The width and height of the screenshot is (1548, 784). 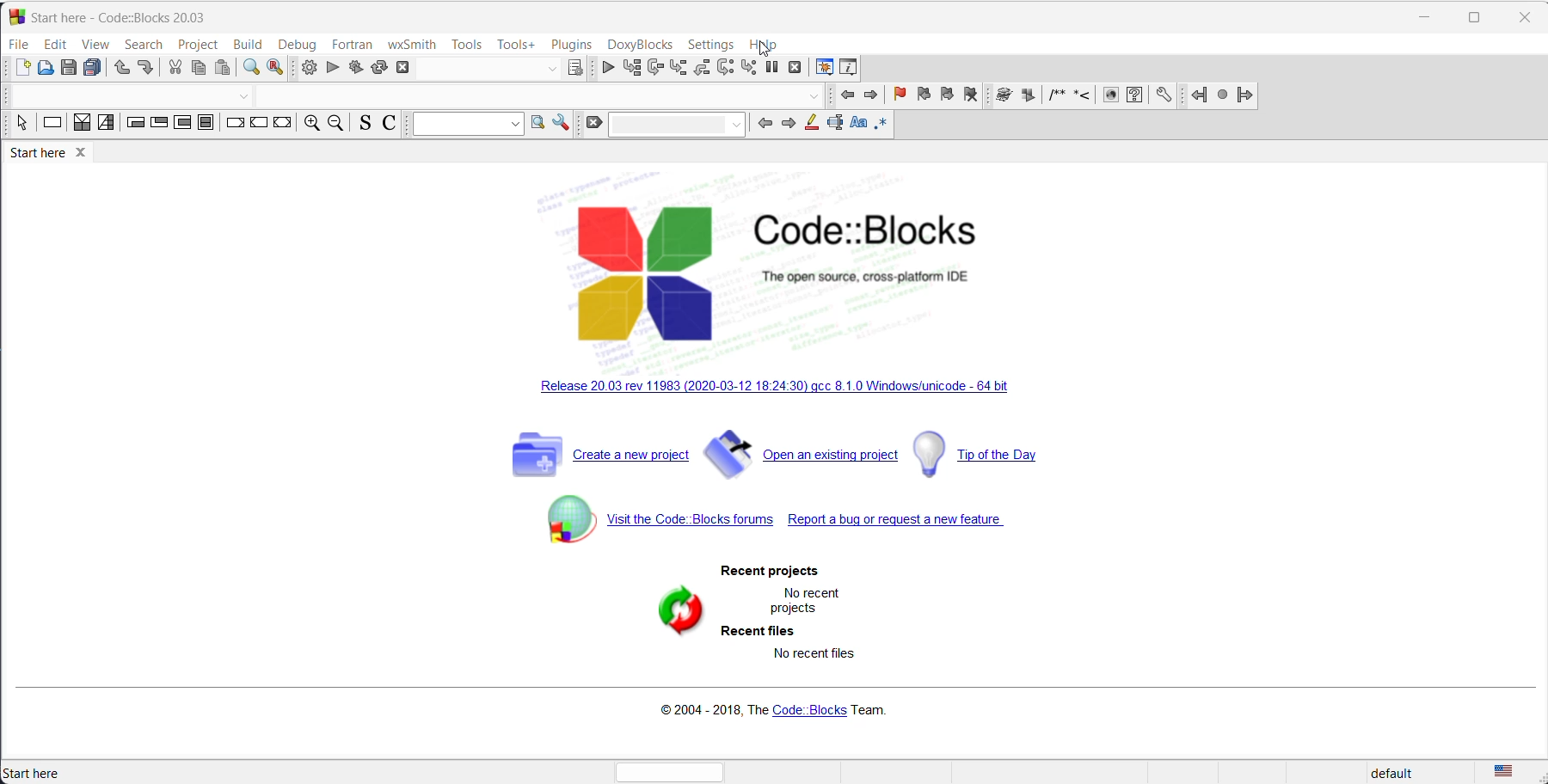 I want to click on text language, so click(x=1508, y=772).